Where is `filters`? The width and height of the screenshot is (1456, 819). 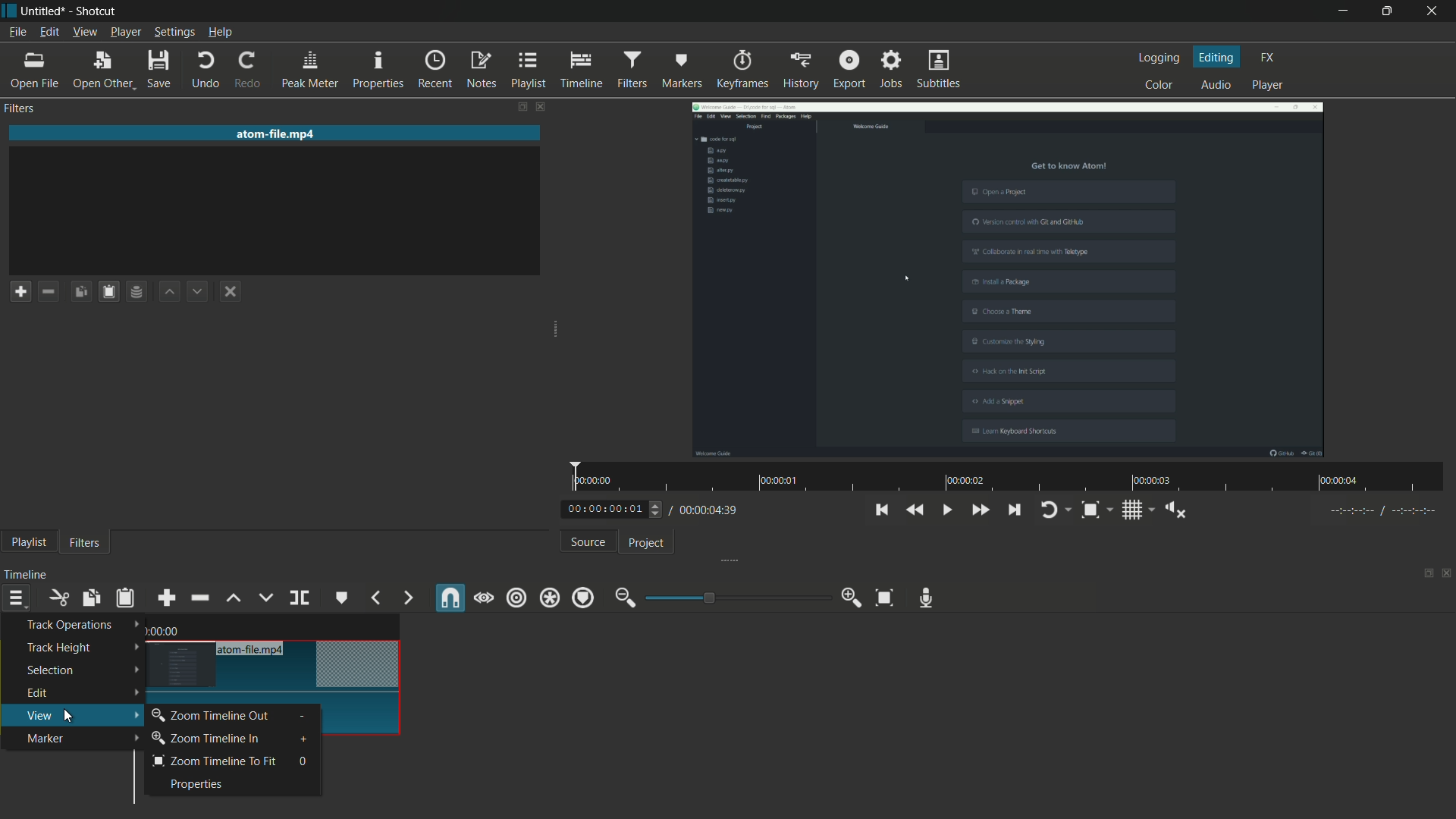
filters is located at coordinates (21, 108).